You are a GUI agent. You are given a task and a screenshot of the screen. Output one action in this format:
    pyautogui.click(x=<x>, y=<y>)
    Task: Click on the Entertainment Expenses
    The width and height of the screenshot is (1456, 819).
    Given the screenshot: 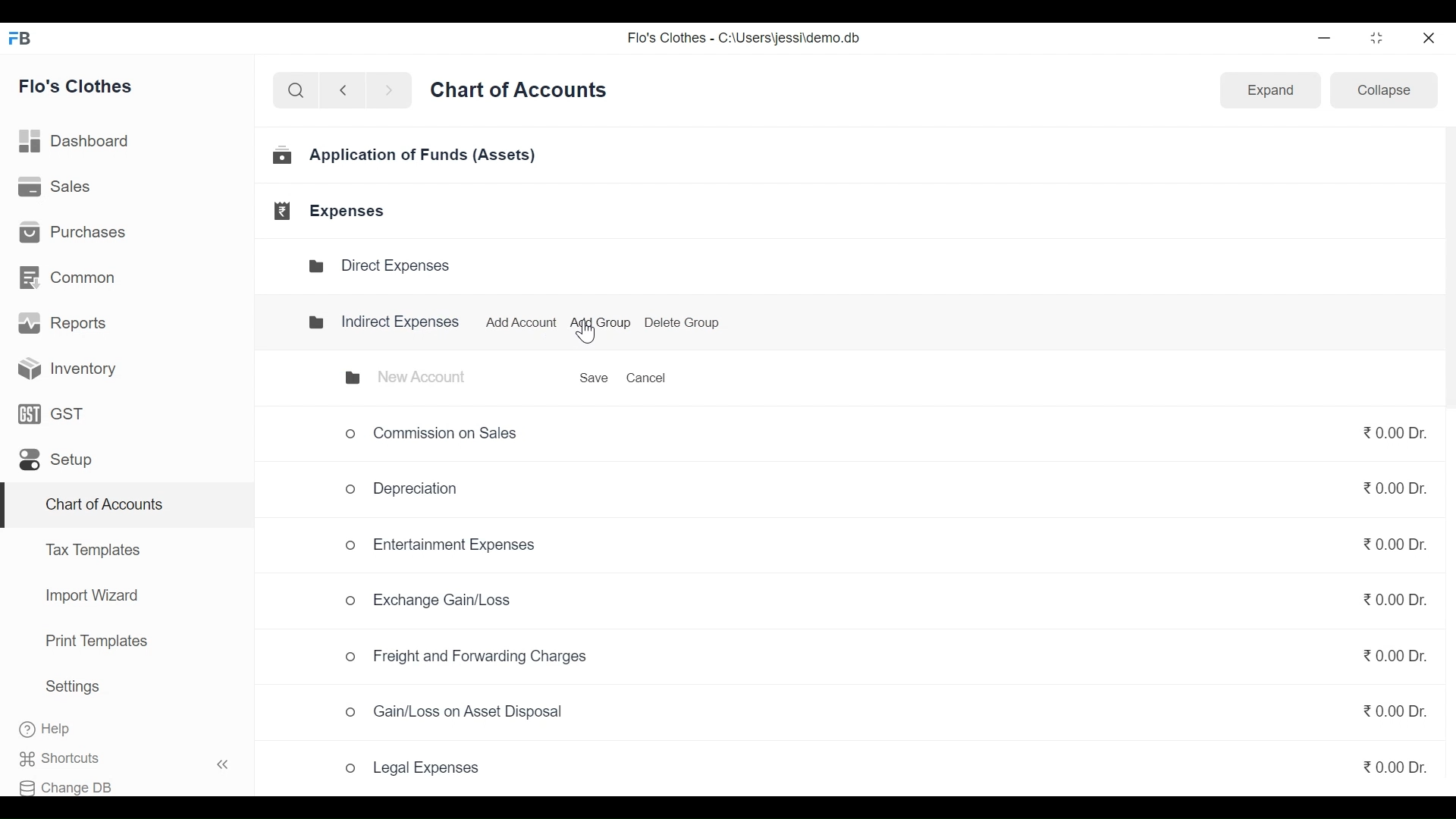 What is the action you would take?
    pyautogui.click(x=441, y=549)
    